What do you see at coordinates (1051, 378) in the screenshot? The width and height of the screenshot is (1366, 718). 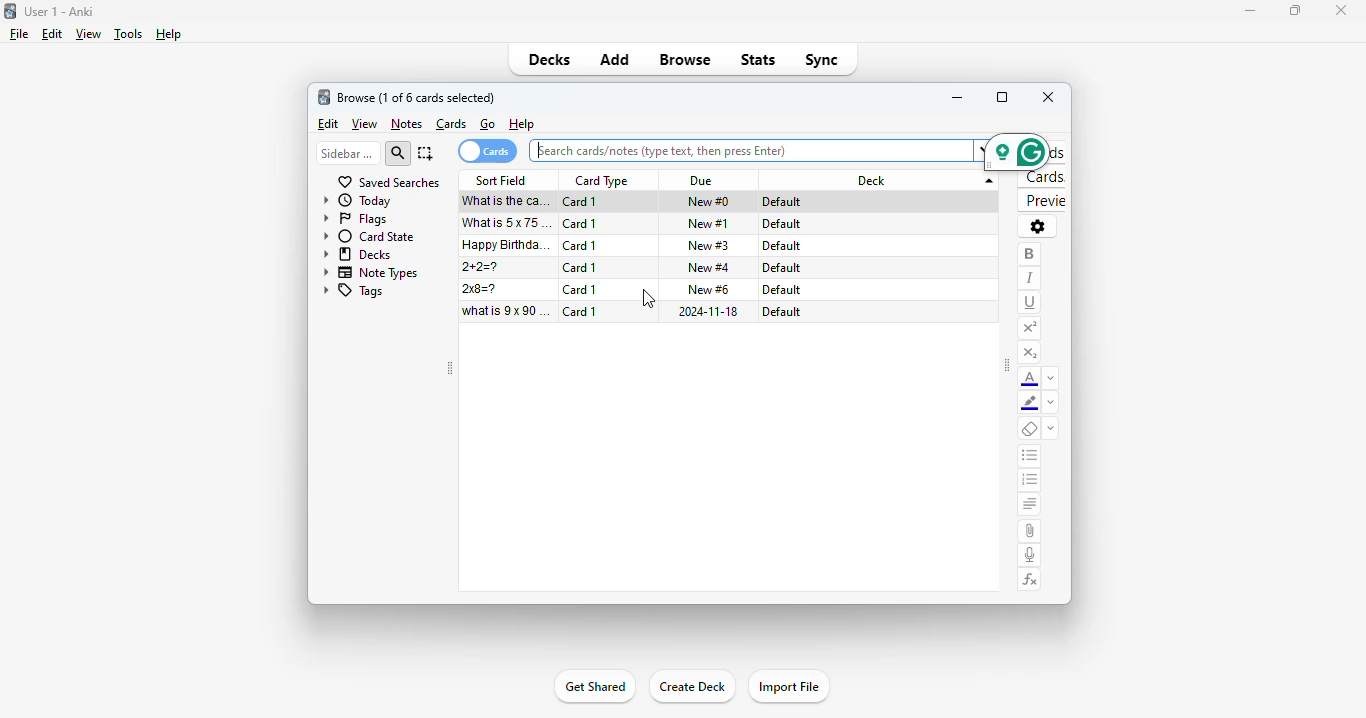 I see `change color` at bounding box center [1051, 378].